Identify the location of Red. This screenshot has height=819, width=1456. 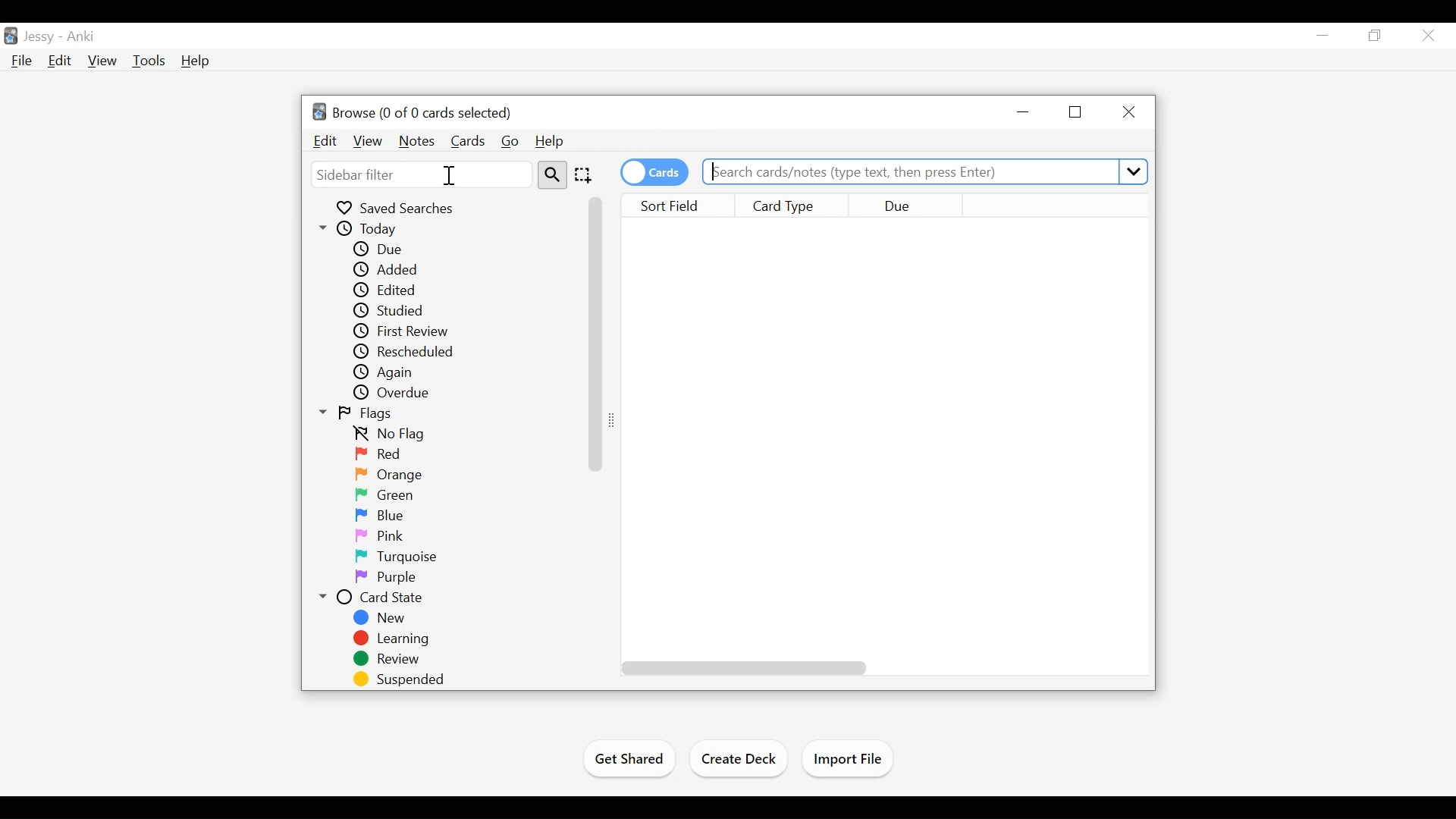
(380, 455).